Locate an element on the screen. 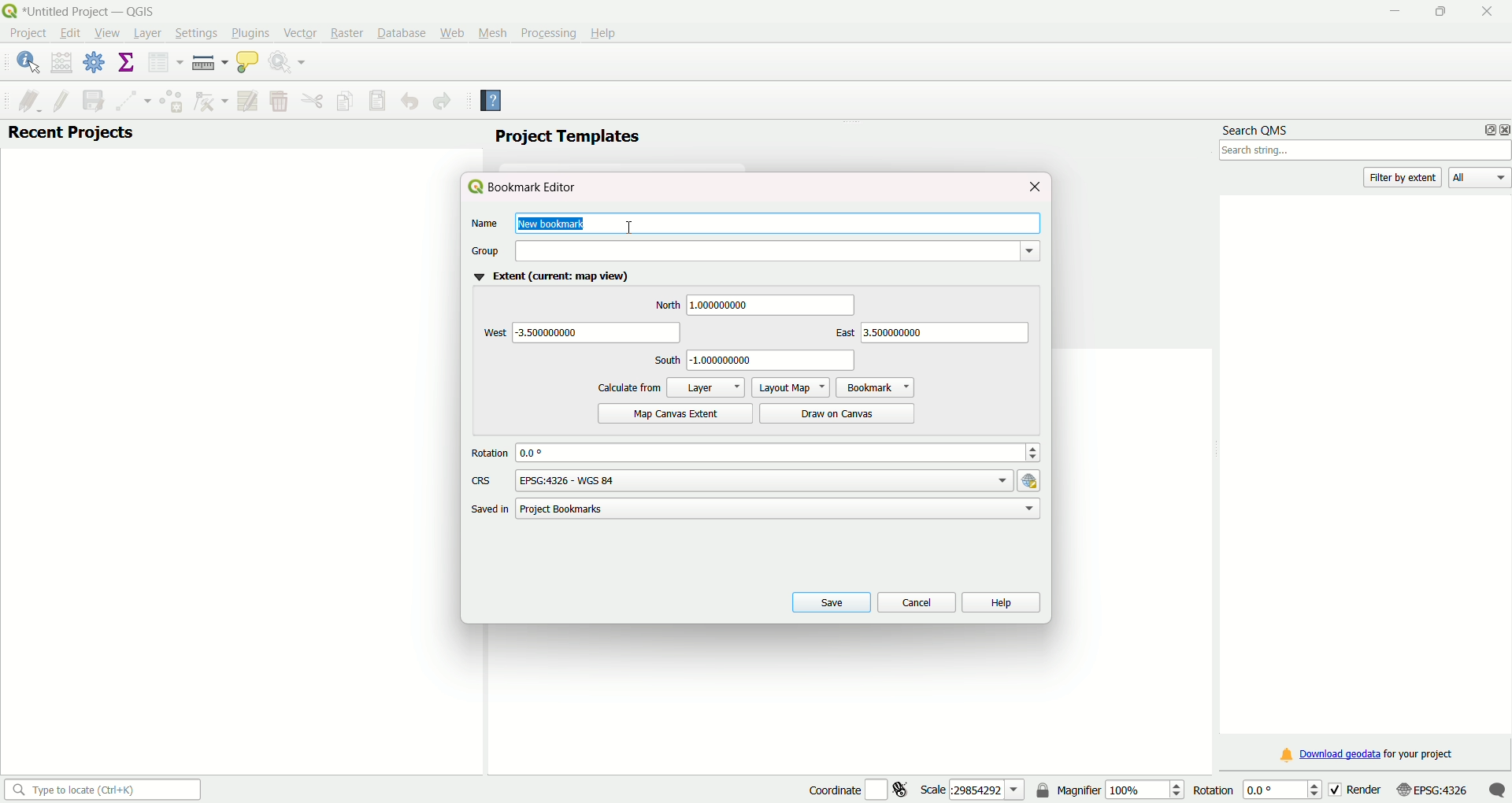 This screenshot has height=803, width=1512. redo is located at coordinates (443, 102).